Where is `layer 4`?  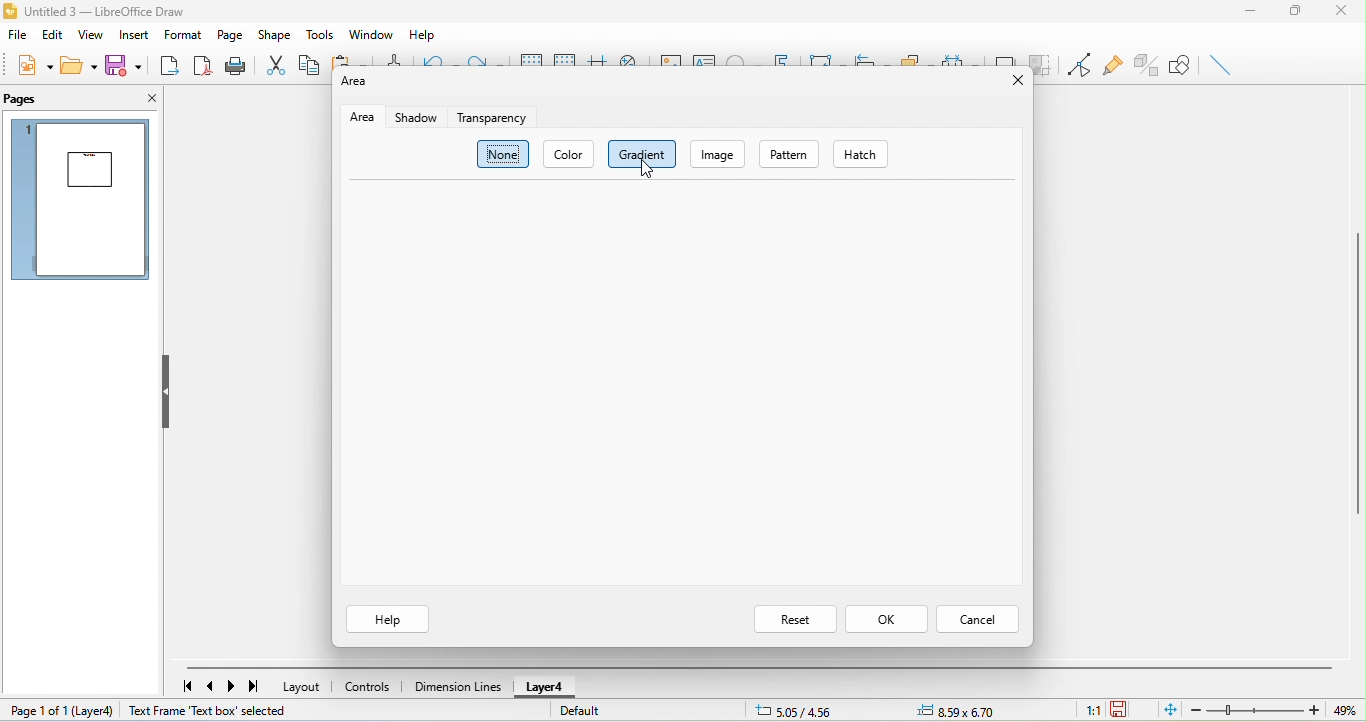
layer 4 is located at coordinates (543, 689).